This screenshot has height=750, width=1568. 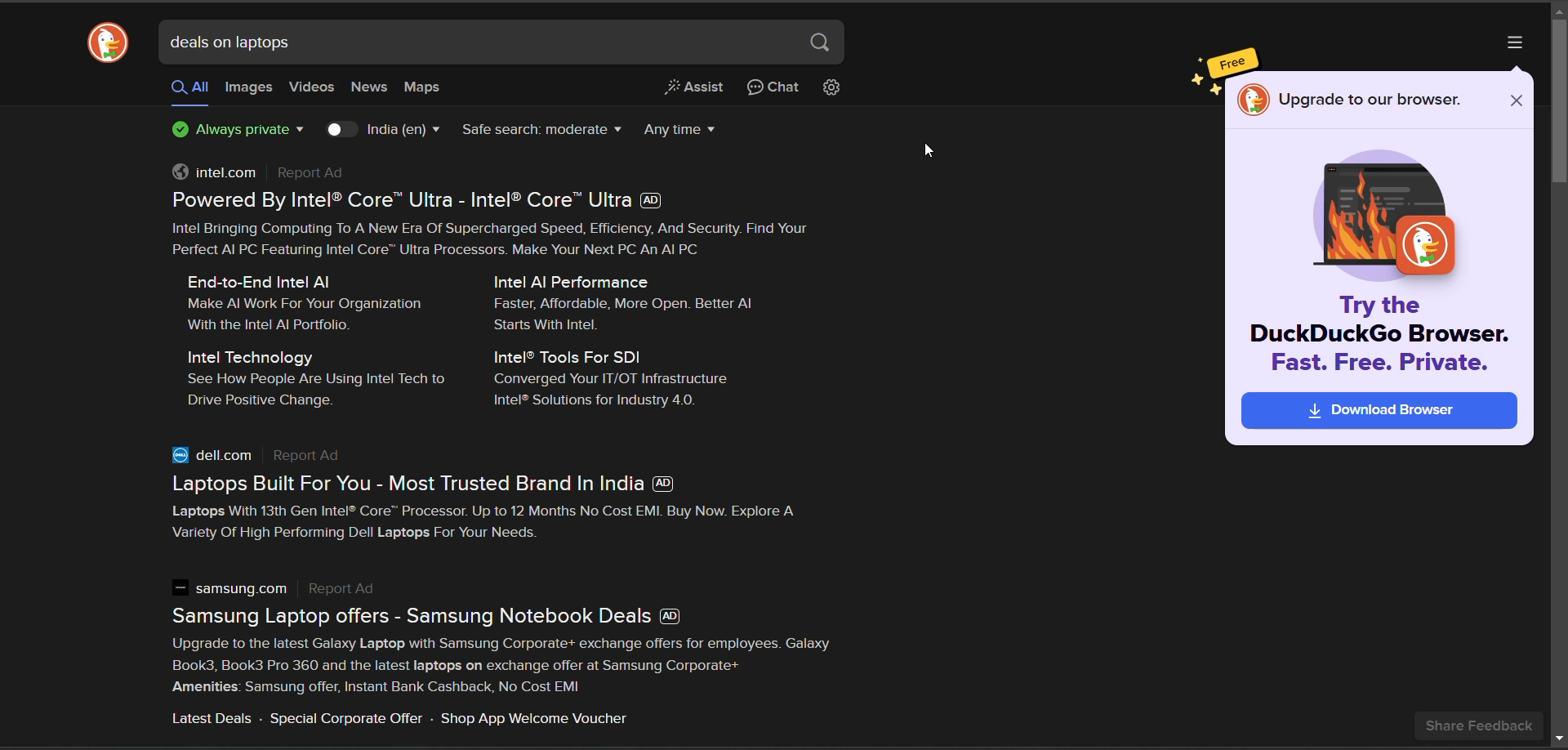 What do you see at coordinates (1368, 99) in the screenshot?
I see `upgrade to our browser` at bounding box center [1368, 99].